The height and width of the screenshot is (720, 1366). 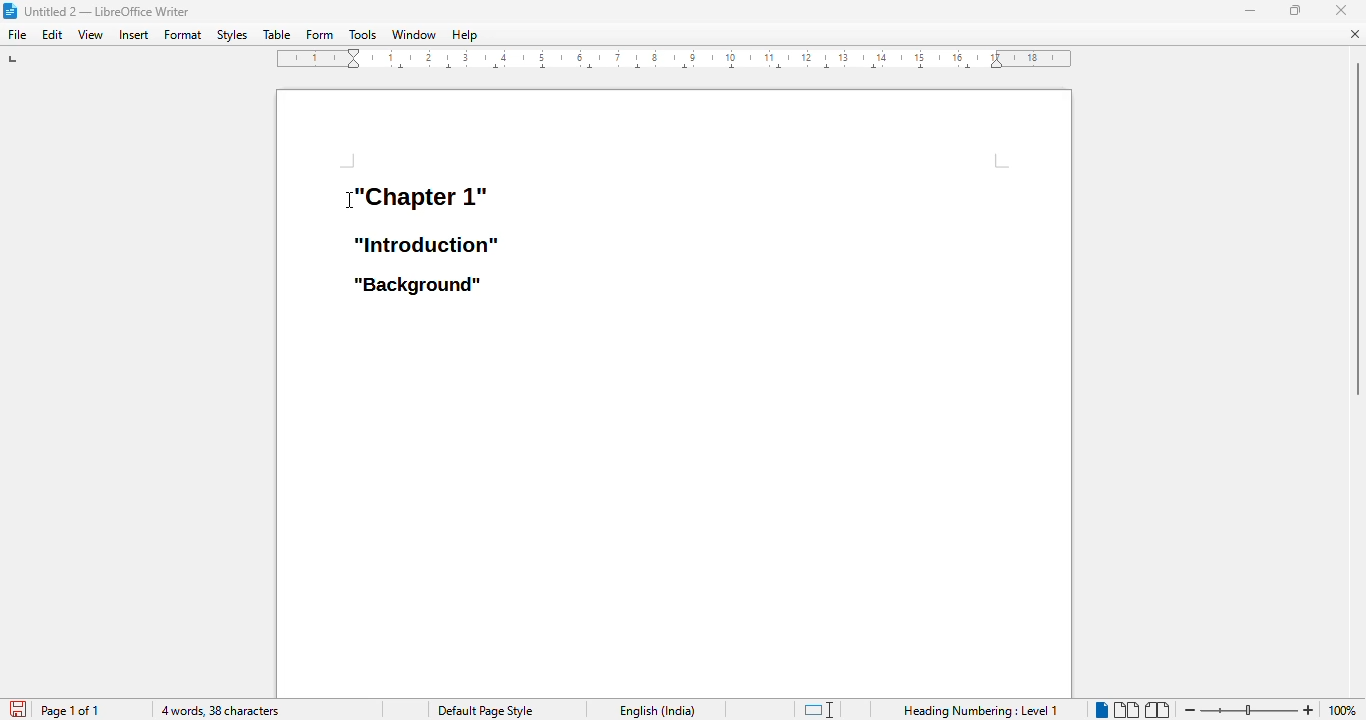 I want to click on heading 2, so click(x=427, y=244).